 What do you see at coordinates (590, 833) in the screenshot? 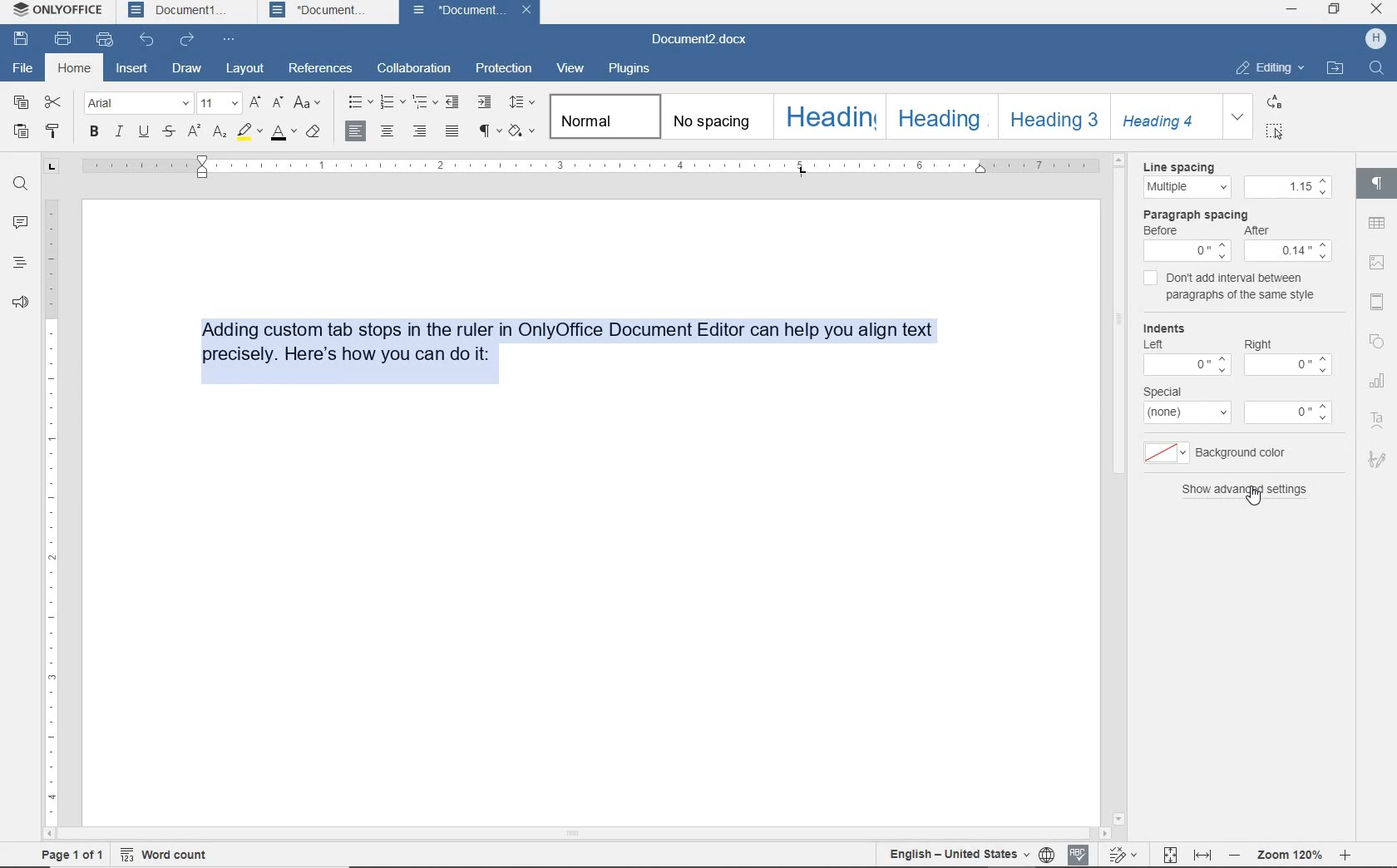
I see `scroll` at bounding box center [590, 833].